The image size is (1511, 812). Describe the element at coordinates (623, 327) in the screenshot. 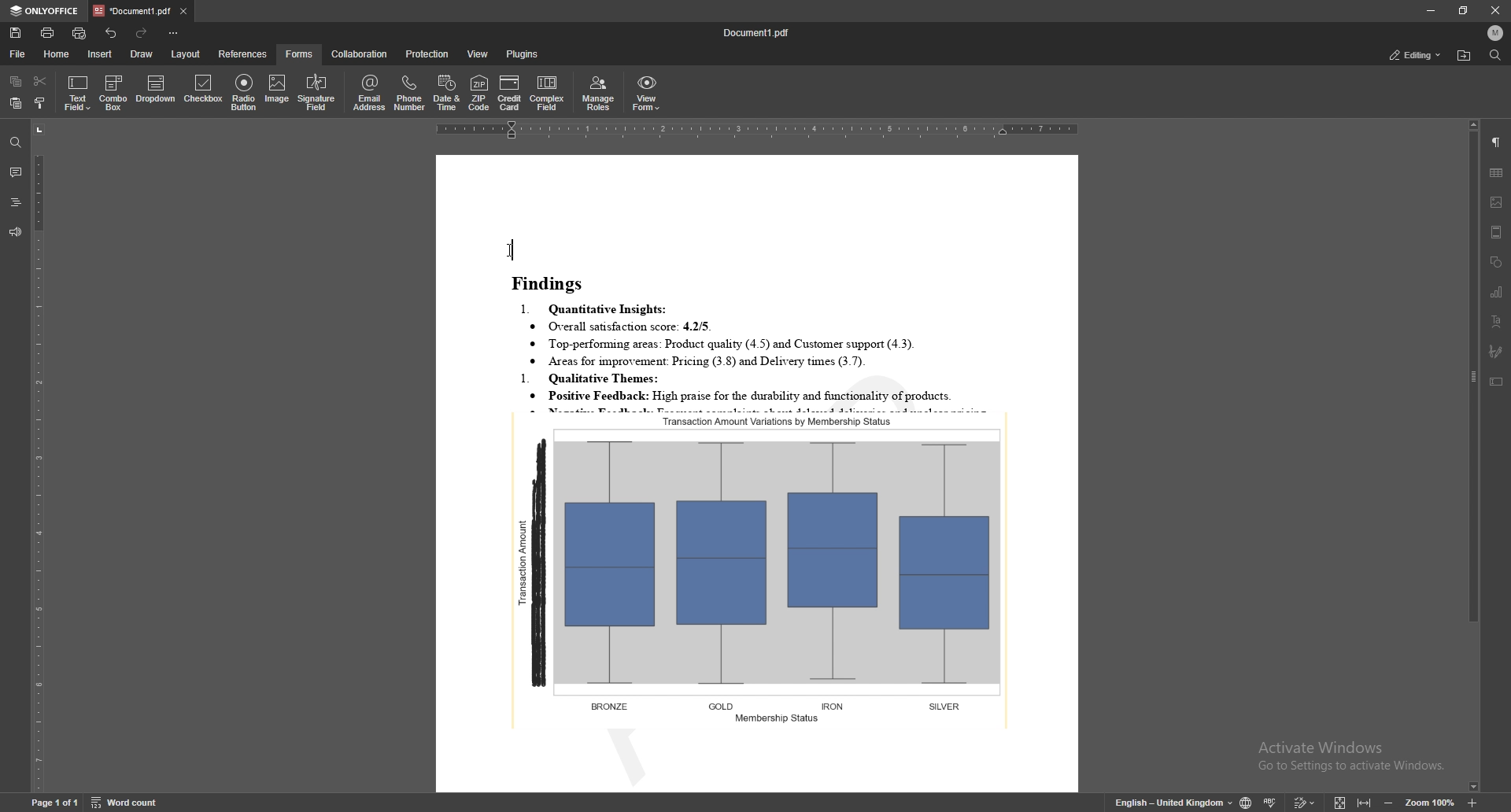

I see `® Overall satisfaction score: 4.2/5.` at that location.